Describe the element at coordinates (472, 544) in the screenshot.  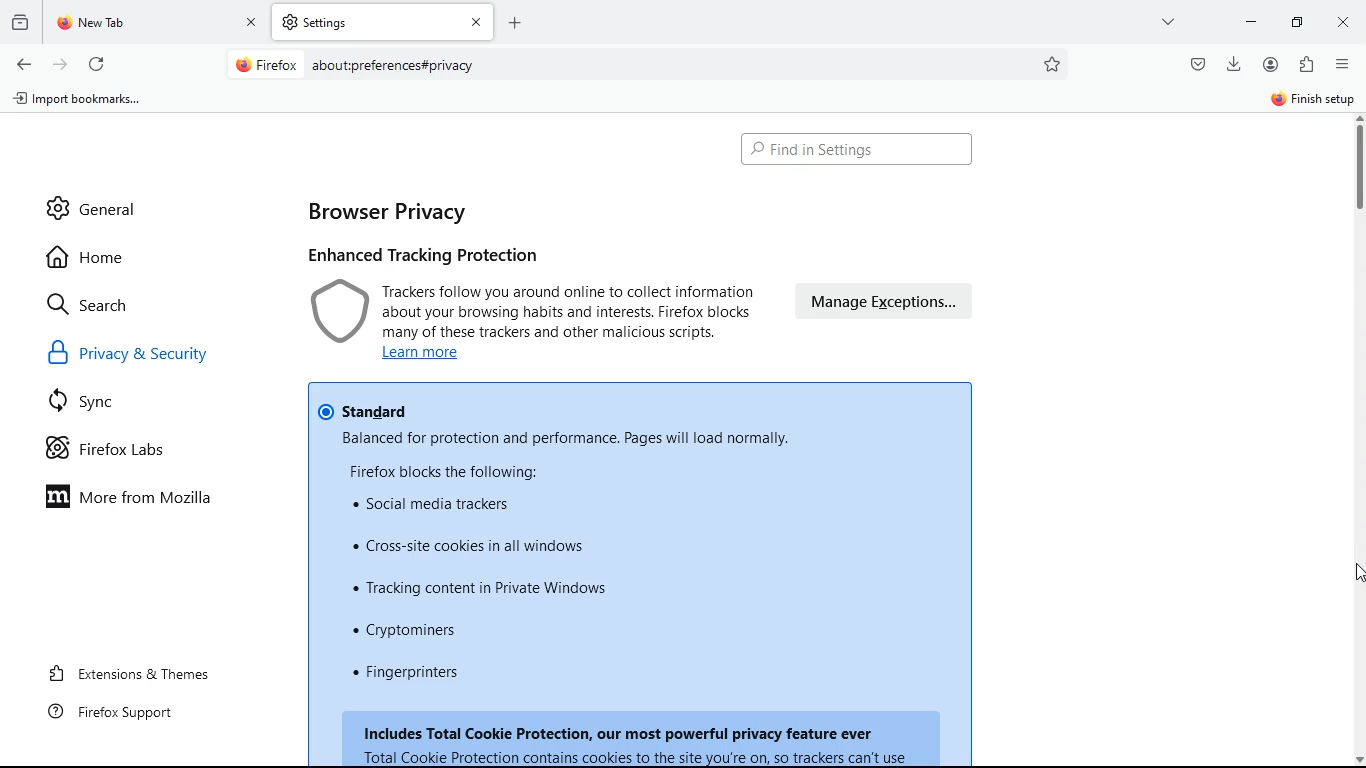
I see `cross site cookies in all windows` at that location.